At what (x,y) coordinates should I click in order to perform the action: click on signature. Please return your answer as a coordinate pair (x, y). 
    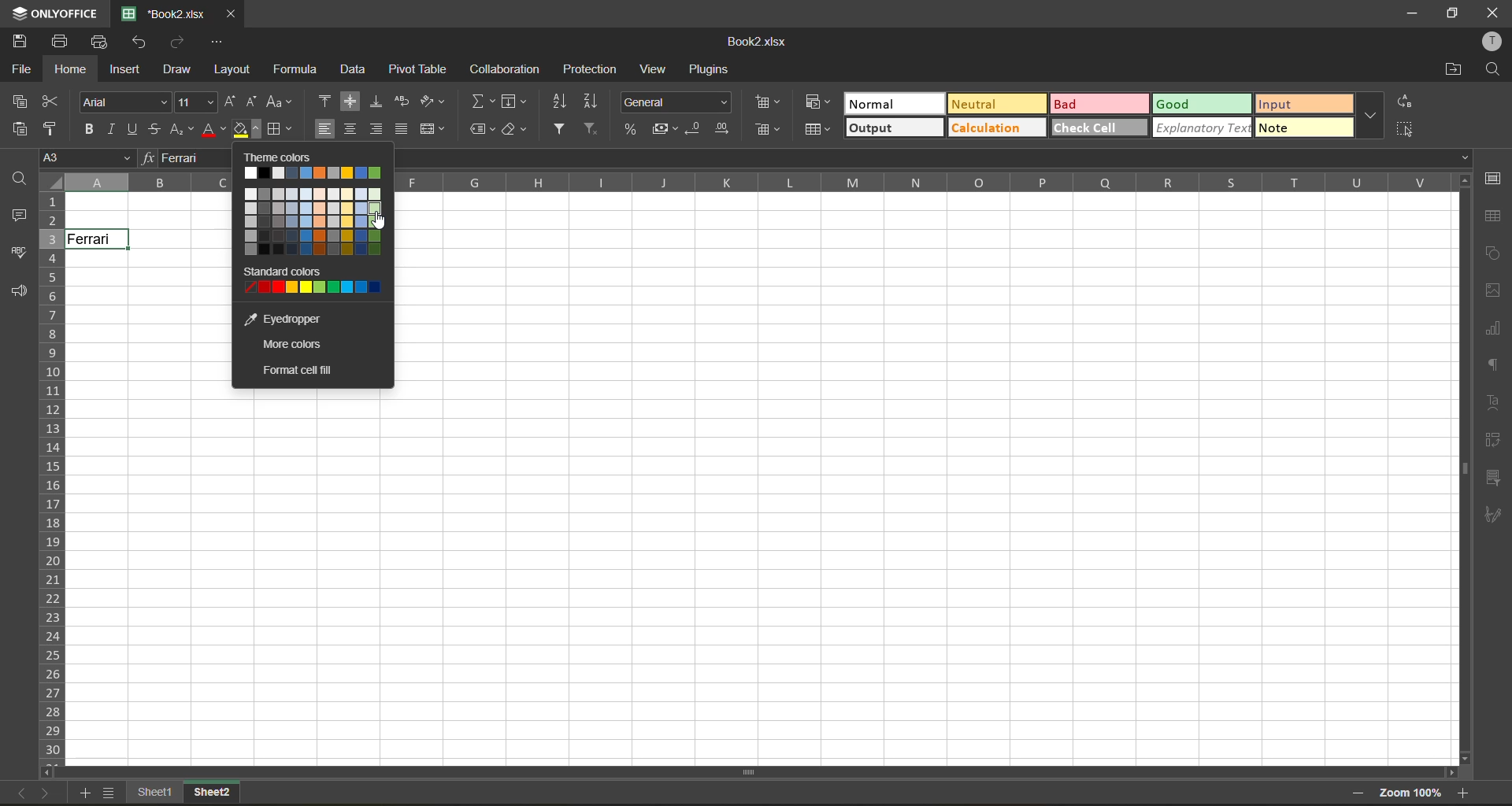
    Looking at the image, I should click on (1495, 518).